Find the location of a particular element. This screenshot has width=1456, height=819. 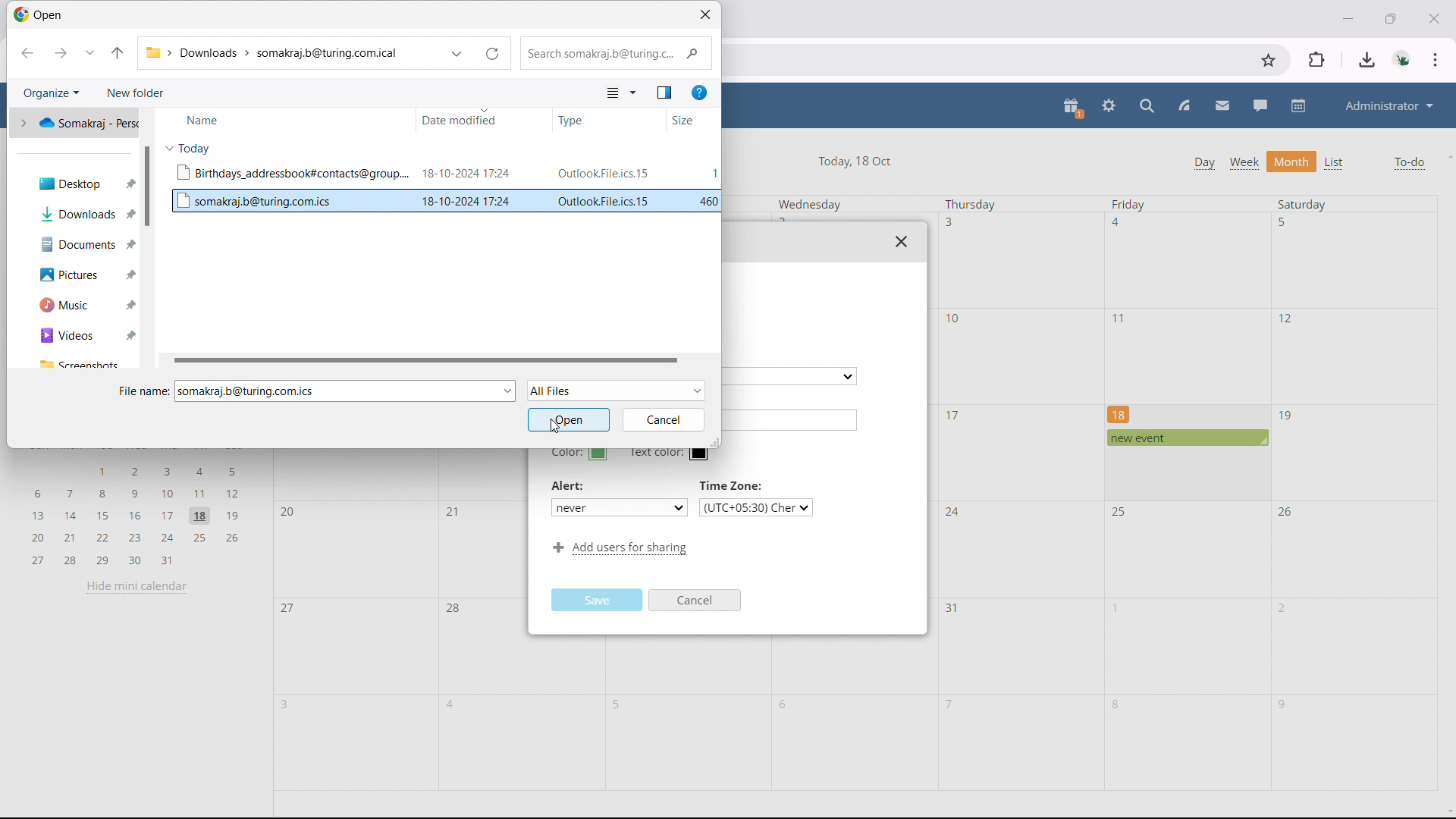

Pictures is located at coordinates (74, 275).